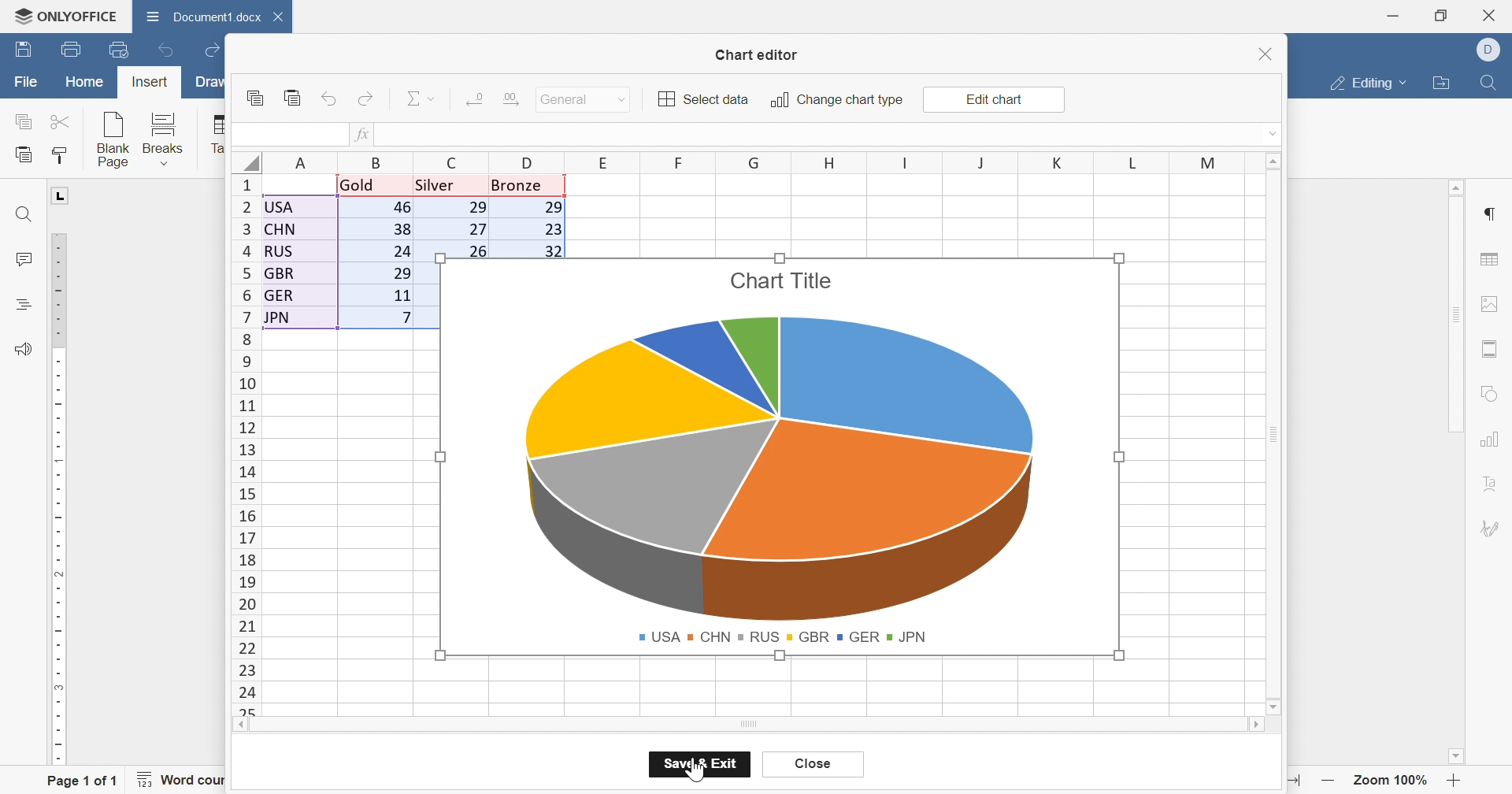  What do you see at coordinates (362, 135) in the screenshot?
I see `fx` at bounding box center [362, 135].